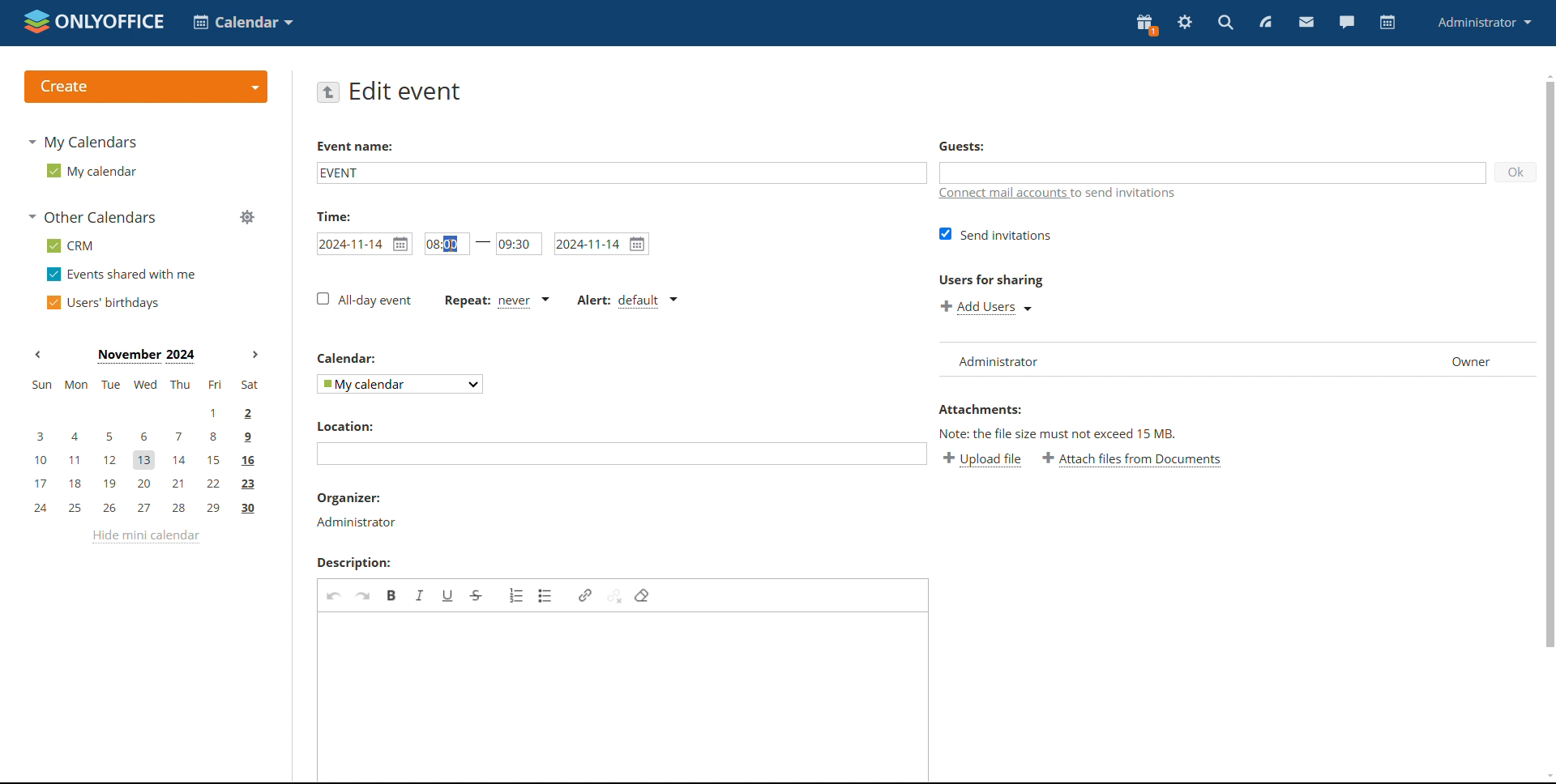  Describe the element at coordinates (145, 509) in the screenshot. I see `24, 25, 26, 27, 28, 29, 30` at that location.